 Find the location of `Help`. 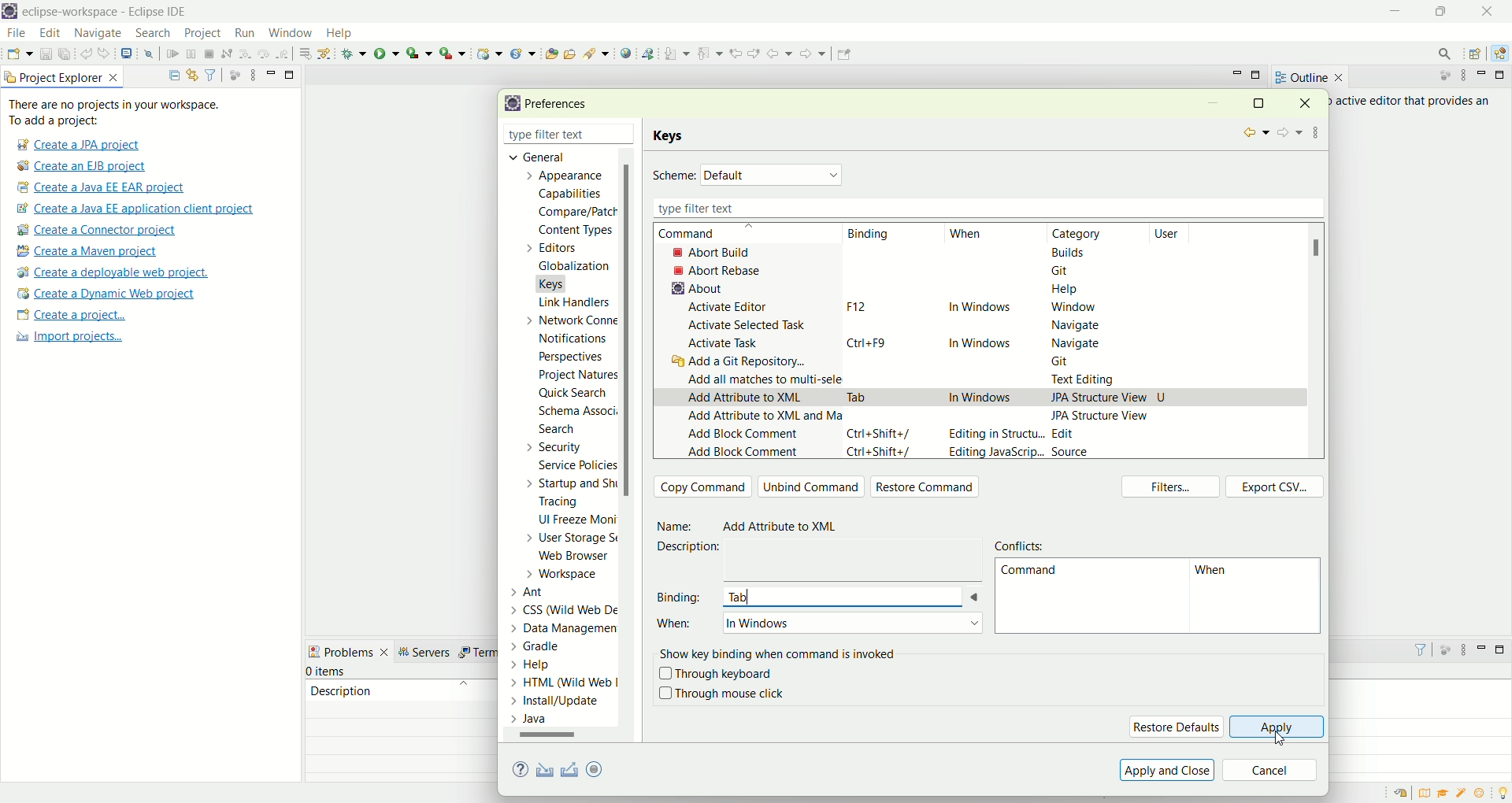

Help is located at coordinates (547, 666).